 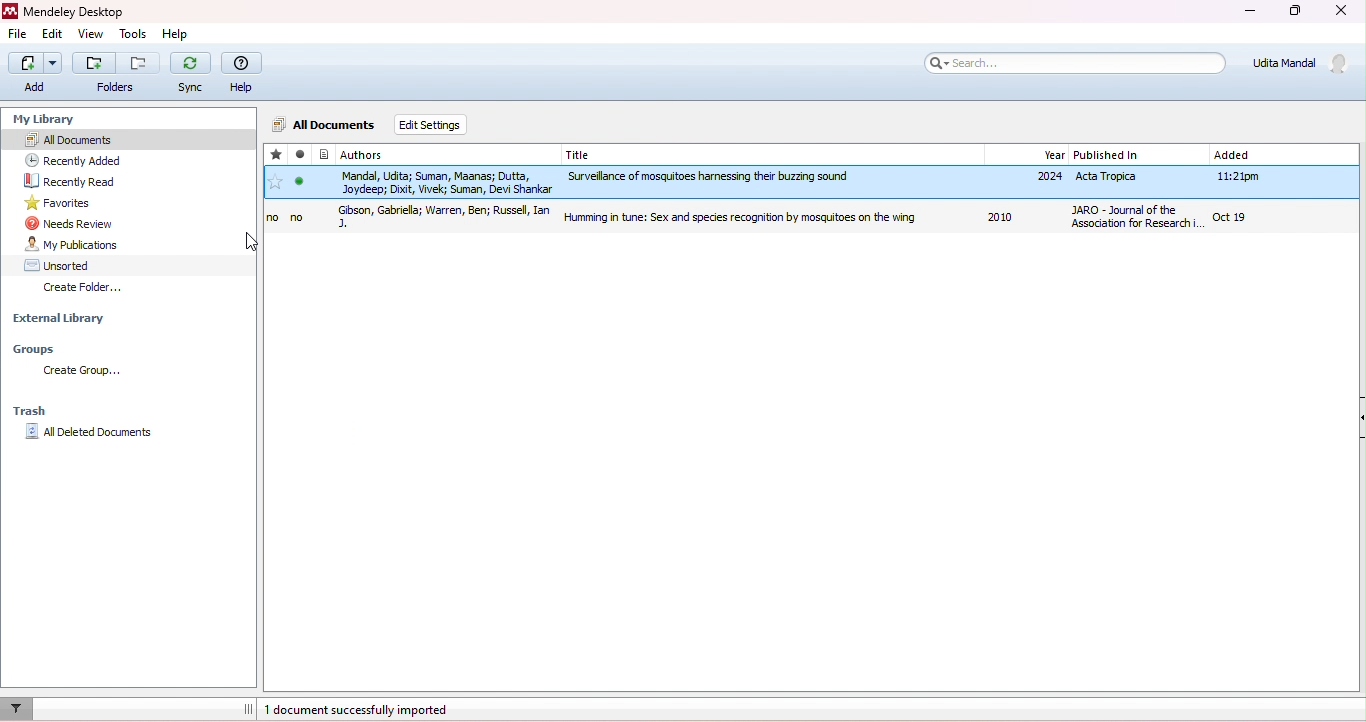 What do you see at coordinates (73, 12) in the screenshot?
I see `Mendeley Desktop` at bounding box center [73, 12].